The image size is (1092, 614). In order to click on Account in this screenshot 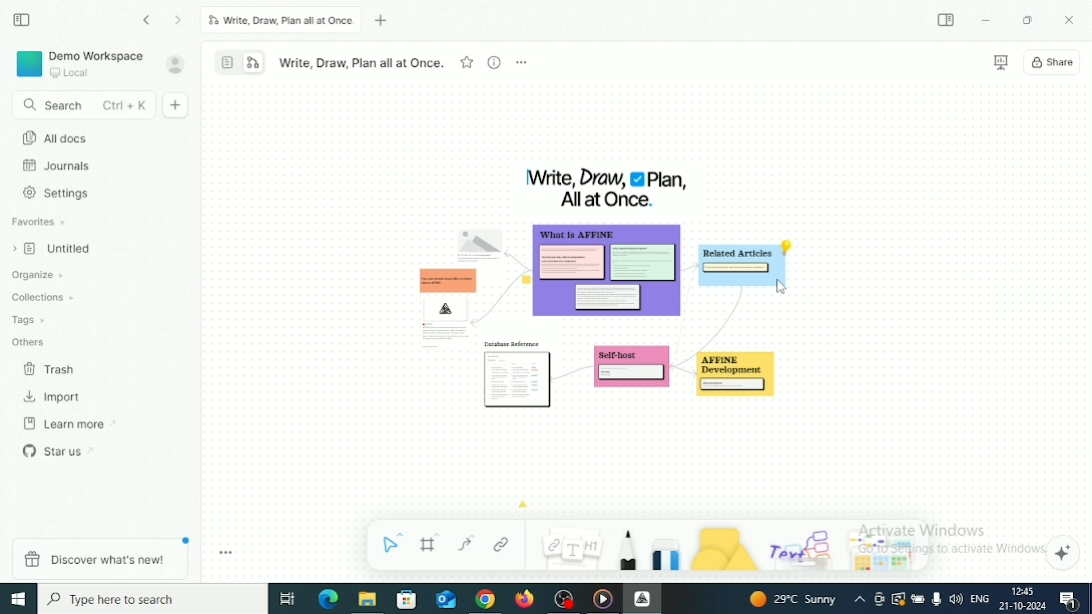, I will do `click(176, 64)`.